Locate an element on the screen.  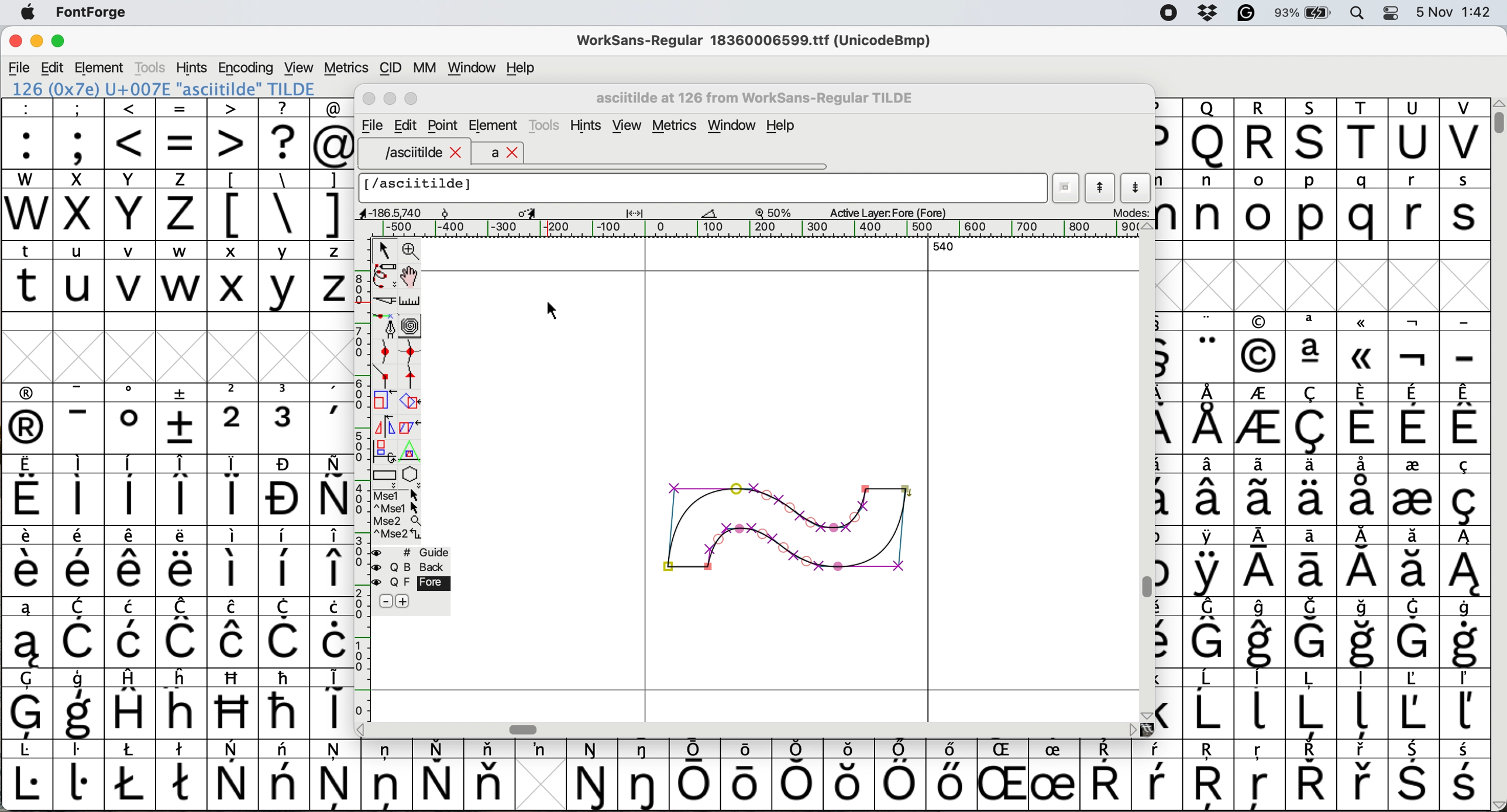
p is located at coordinates (1312, 207).